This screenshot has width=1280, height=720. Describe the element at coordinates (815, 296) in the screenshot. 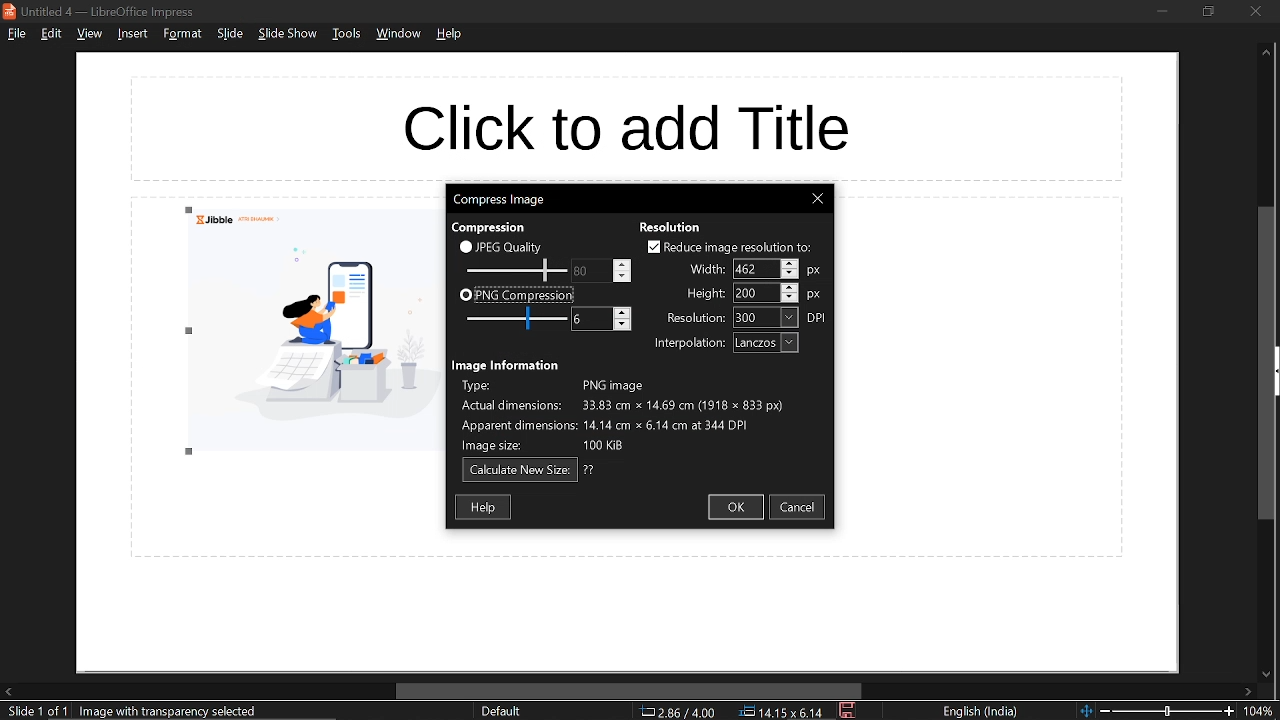

I see `height unit: px` at that location.